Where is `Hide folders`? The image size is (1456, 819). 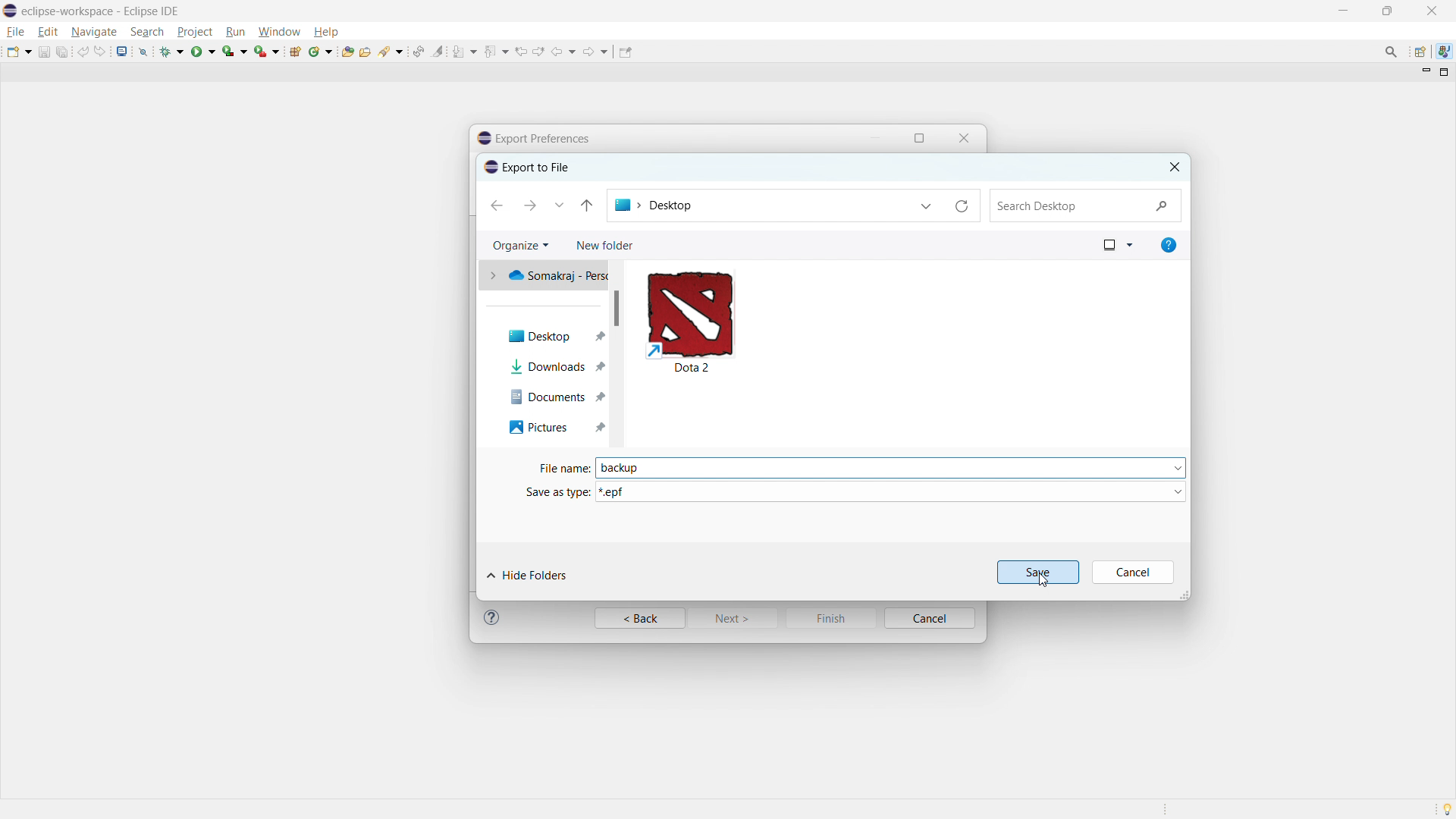
Hide folders is located at coordinates (562, 570).